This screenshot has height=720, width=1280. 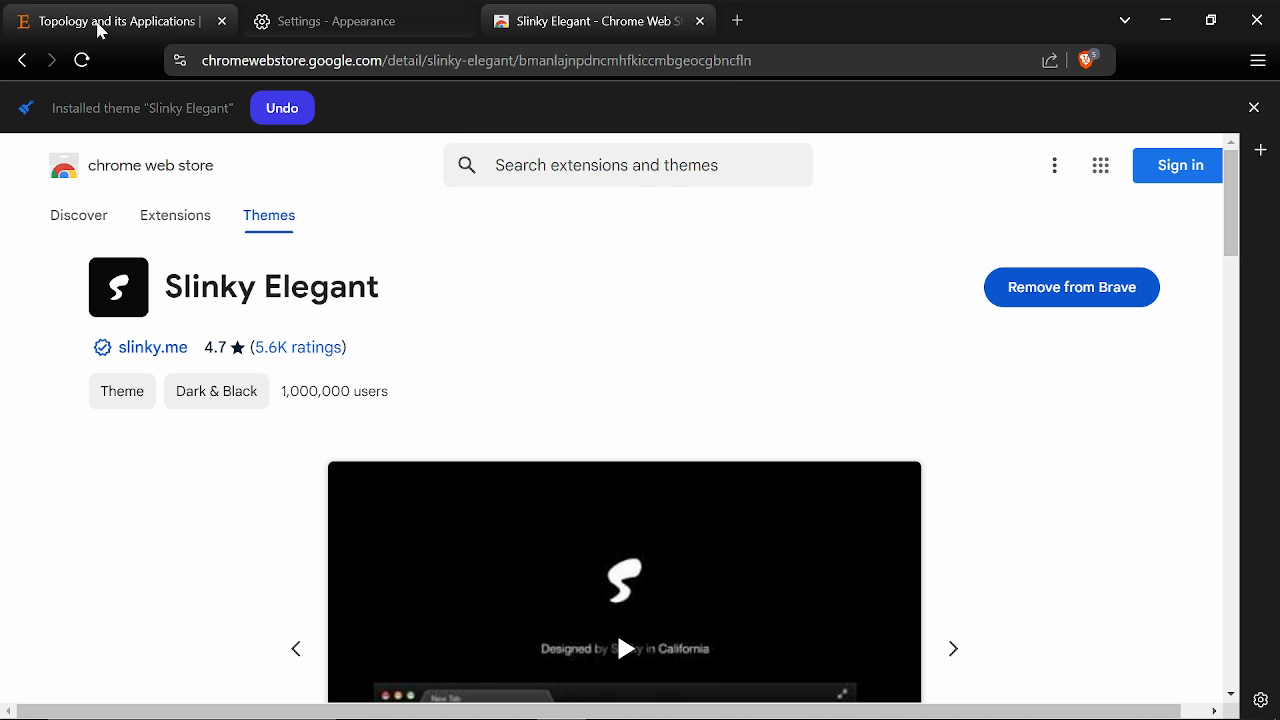 What do you see at coordinates (80, 217) in the screenshot?
I see `Discover` at bounding box center [80, 217].